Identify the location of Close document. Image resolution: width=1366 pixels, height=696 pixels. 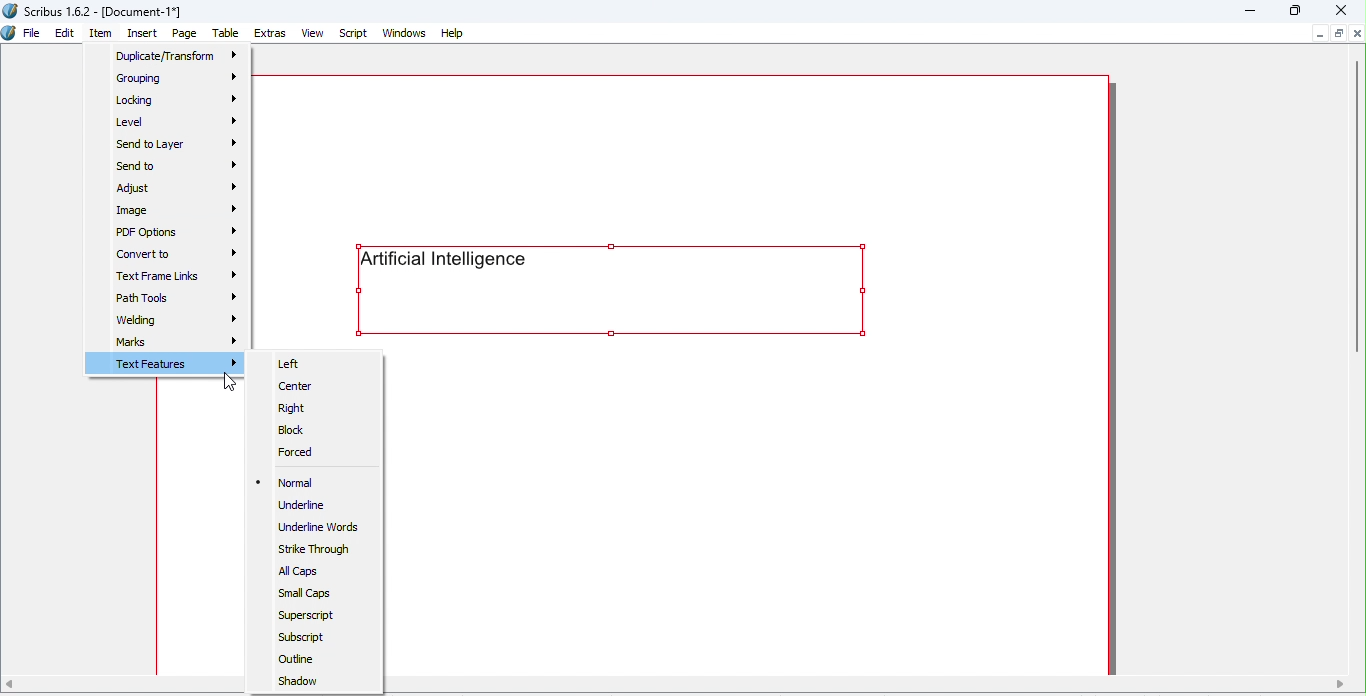
(1358, 34).